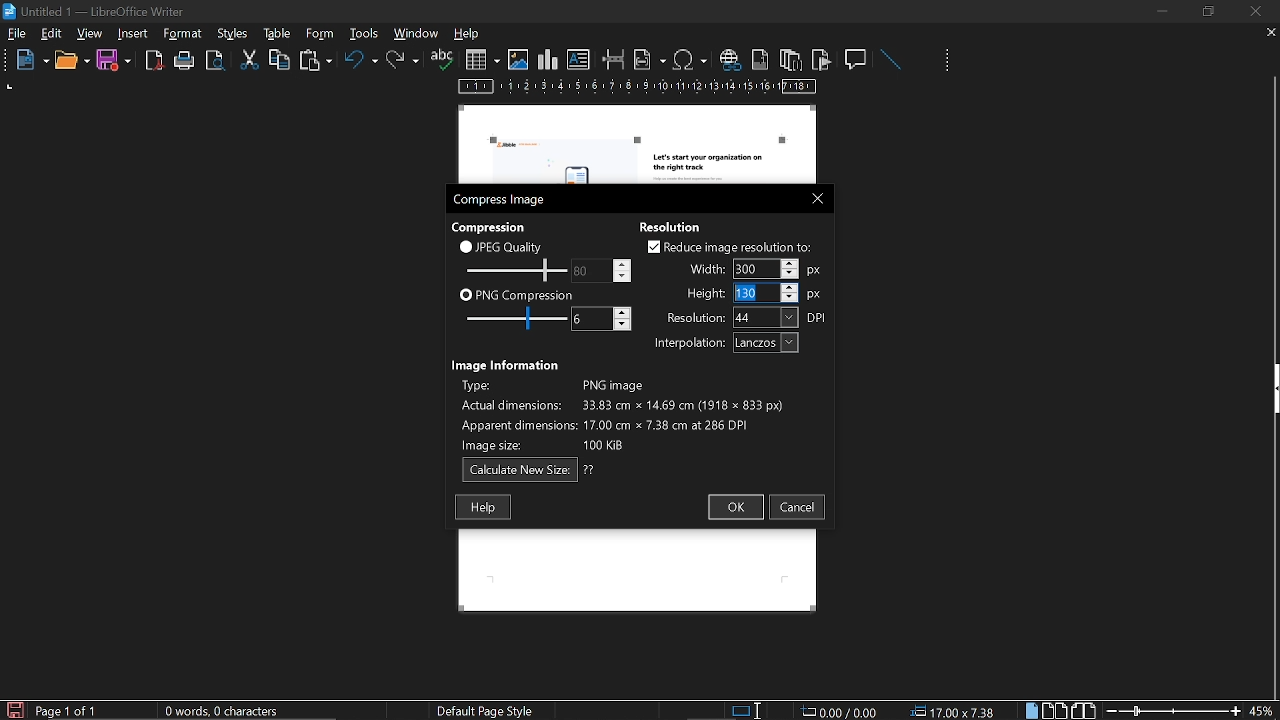 This screenshot has height=720, width=1280. Describe the element at coordinates (361, 63) in the screenshot. I see `undo` at that location.